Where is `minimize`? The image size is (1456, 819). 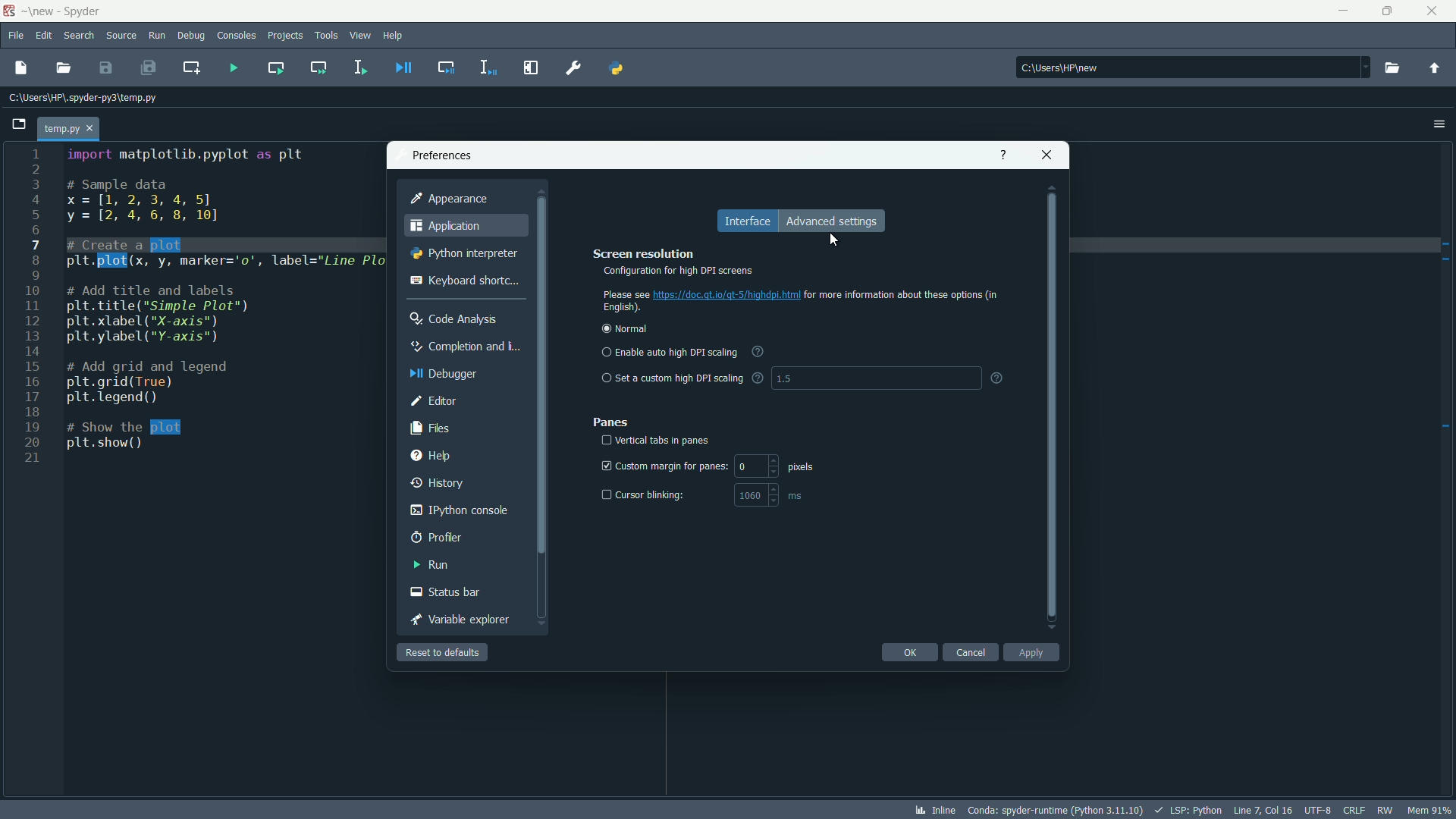
minimize is located at coordinates (1345, 11).